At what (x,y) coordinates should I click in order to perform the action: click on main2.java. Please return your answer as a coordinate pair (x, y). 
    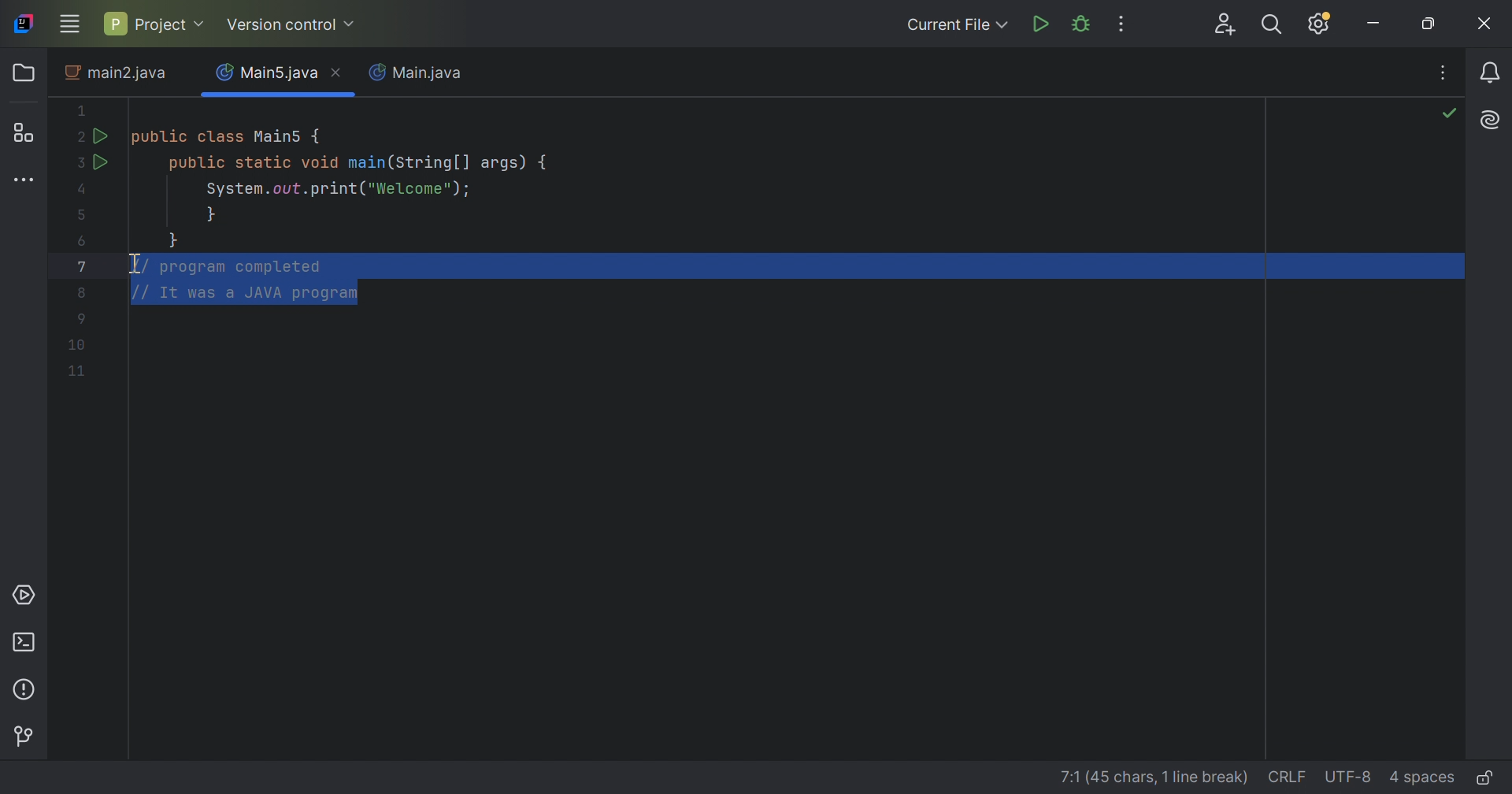
    Looking at the image, I should click on (117, 76).